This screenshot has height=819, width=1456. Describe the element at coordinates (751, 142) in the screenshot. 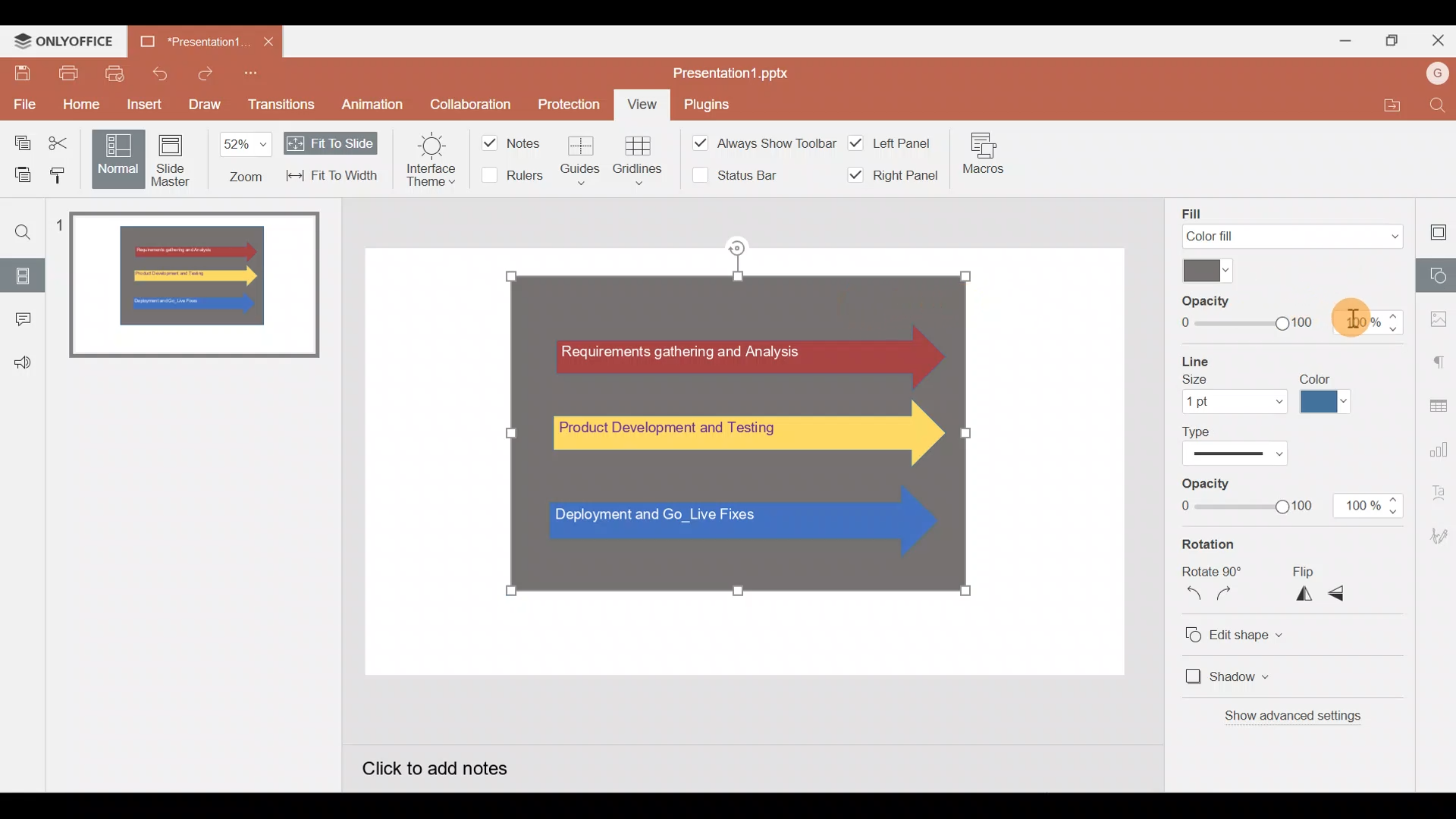

I see `Always show toolbar` at that location.